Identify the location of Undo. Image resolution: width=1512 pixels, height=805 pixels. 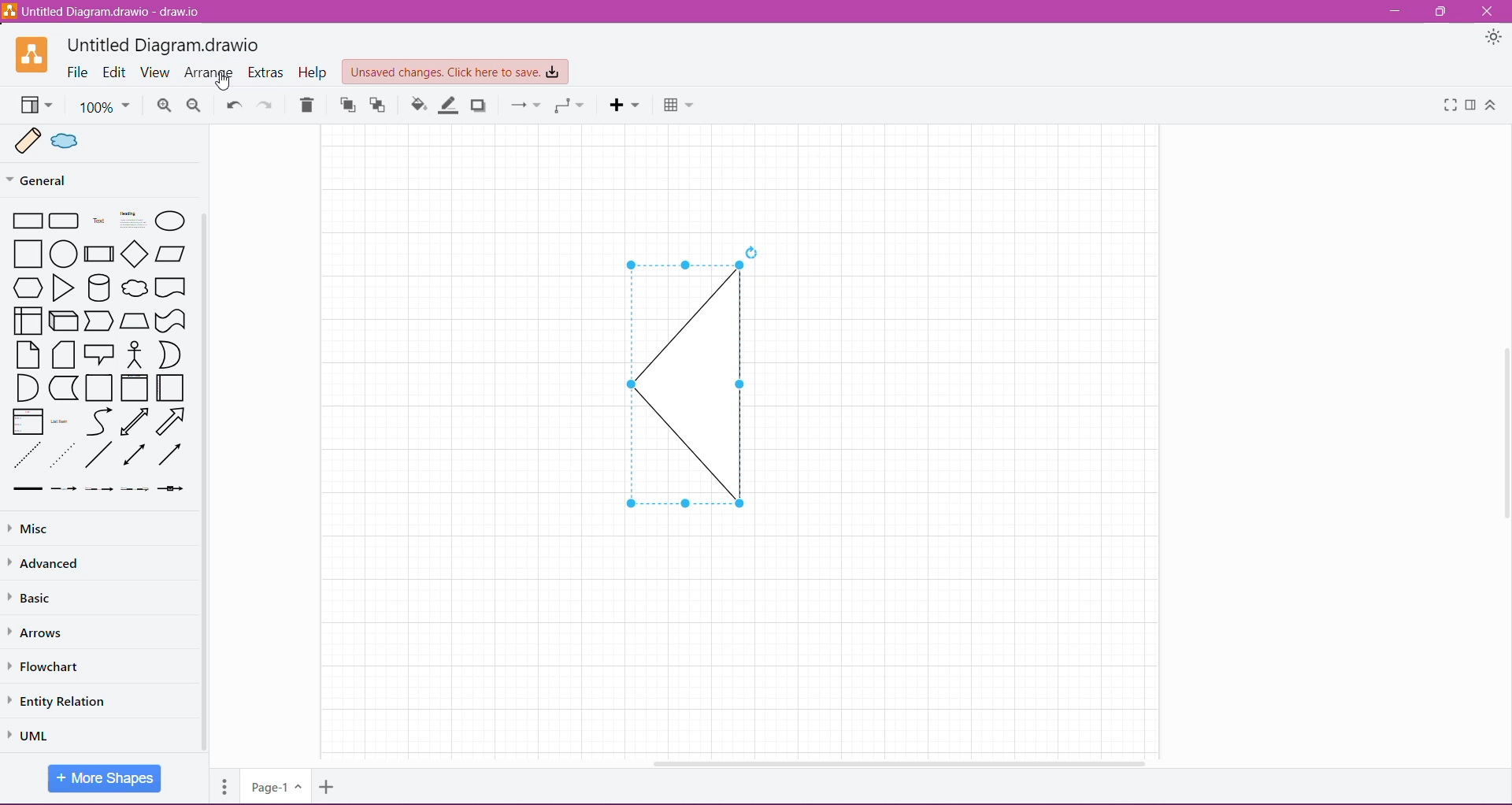
(233, 106).